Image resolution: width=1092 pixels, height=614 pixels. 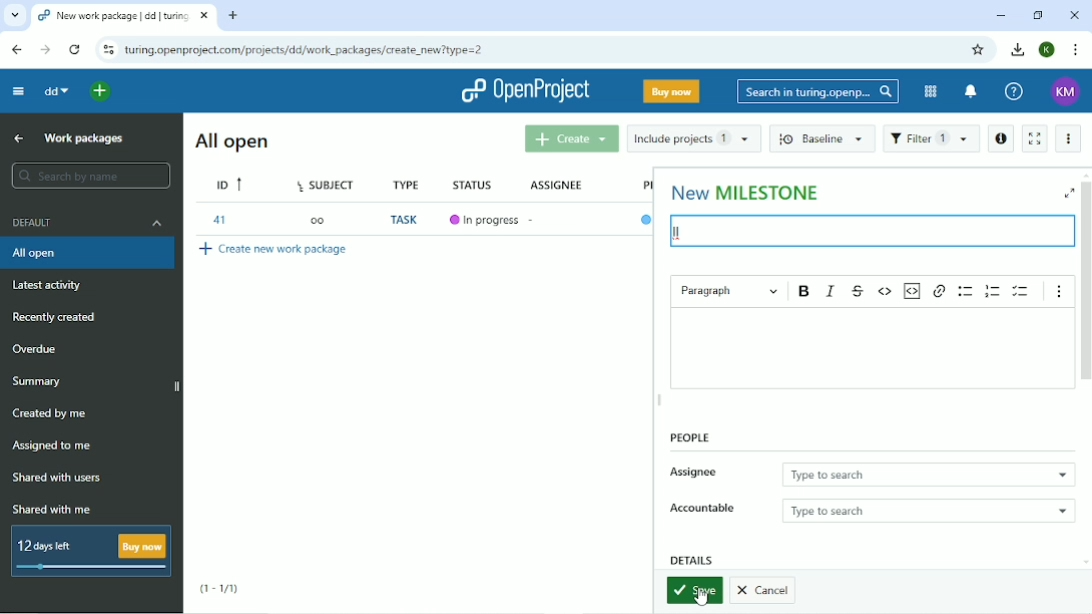 I want to click on Vertical scrollbar, so click(x=1085, y=287).